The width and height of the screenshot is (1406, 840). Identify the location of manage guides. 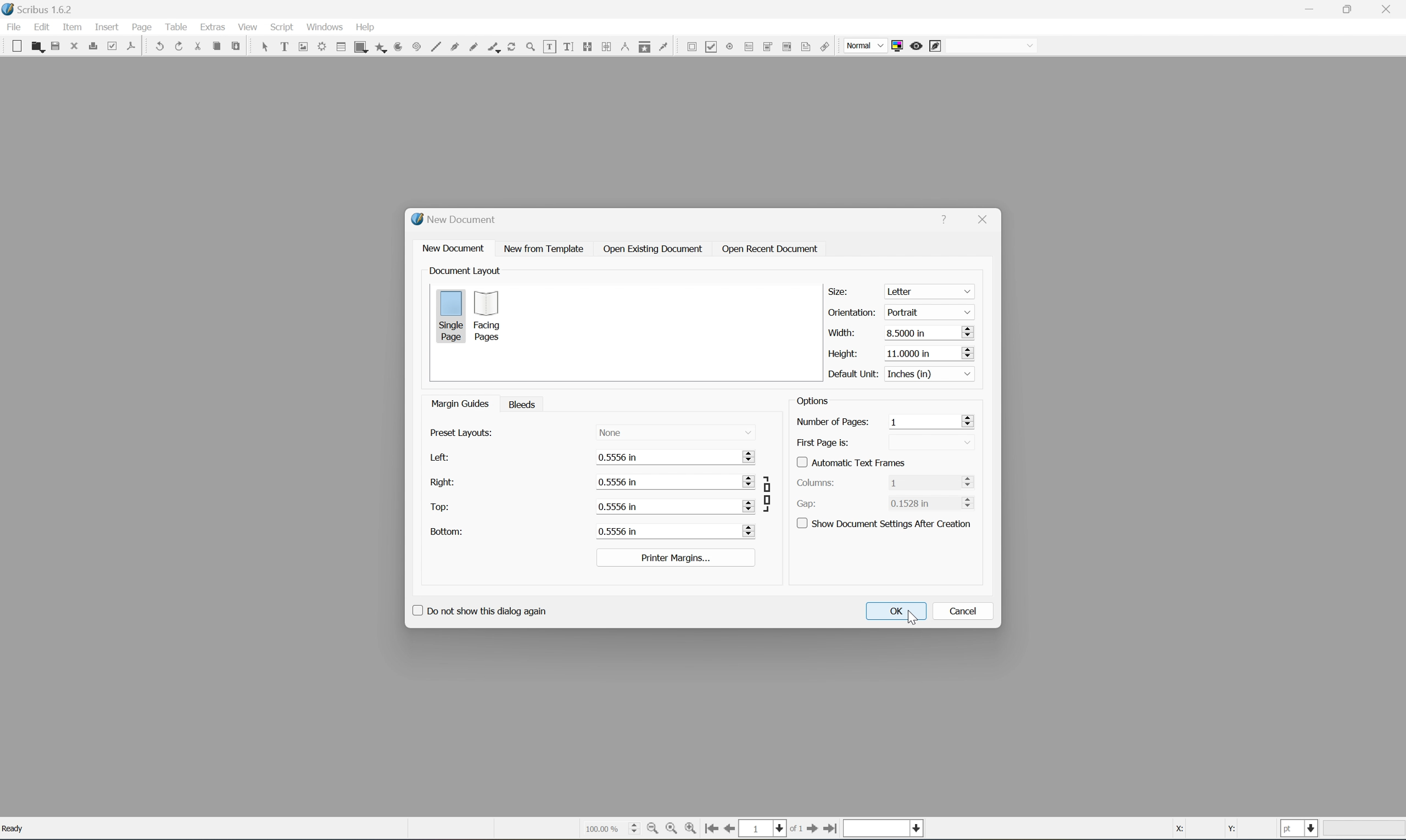
(460, 403).